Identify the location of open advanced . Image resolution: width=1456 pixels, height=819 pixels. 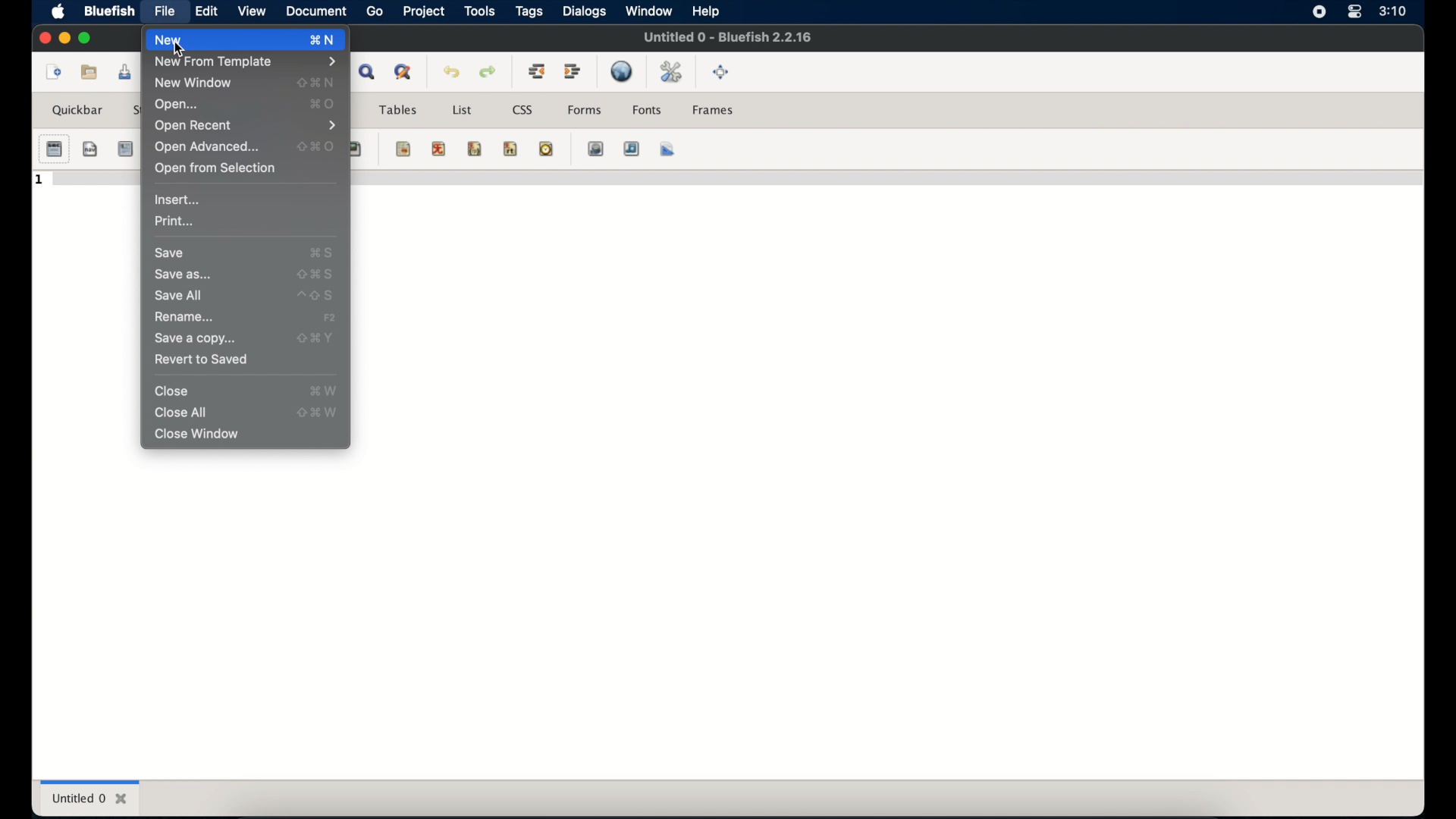
(207, 147).